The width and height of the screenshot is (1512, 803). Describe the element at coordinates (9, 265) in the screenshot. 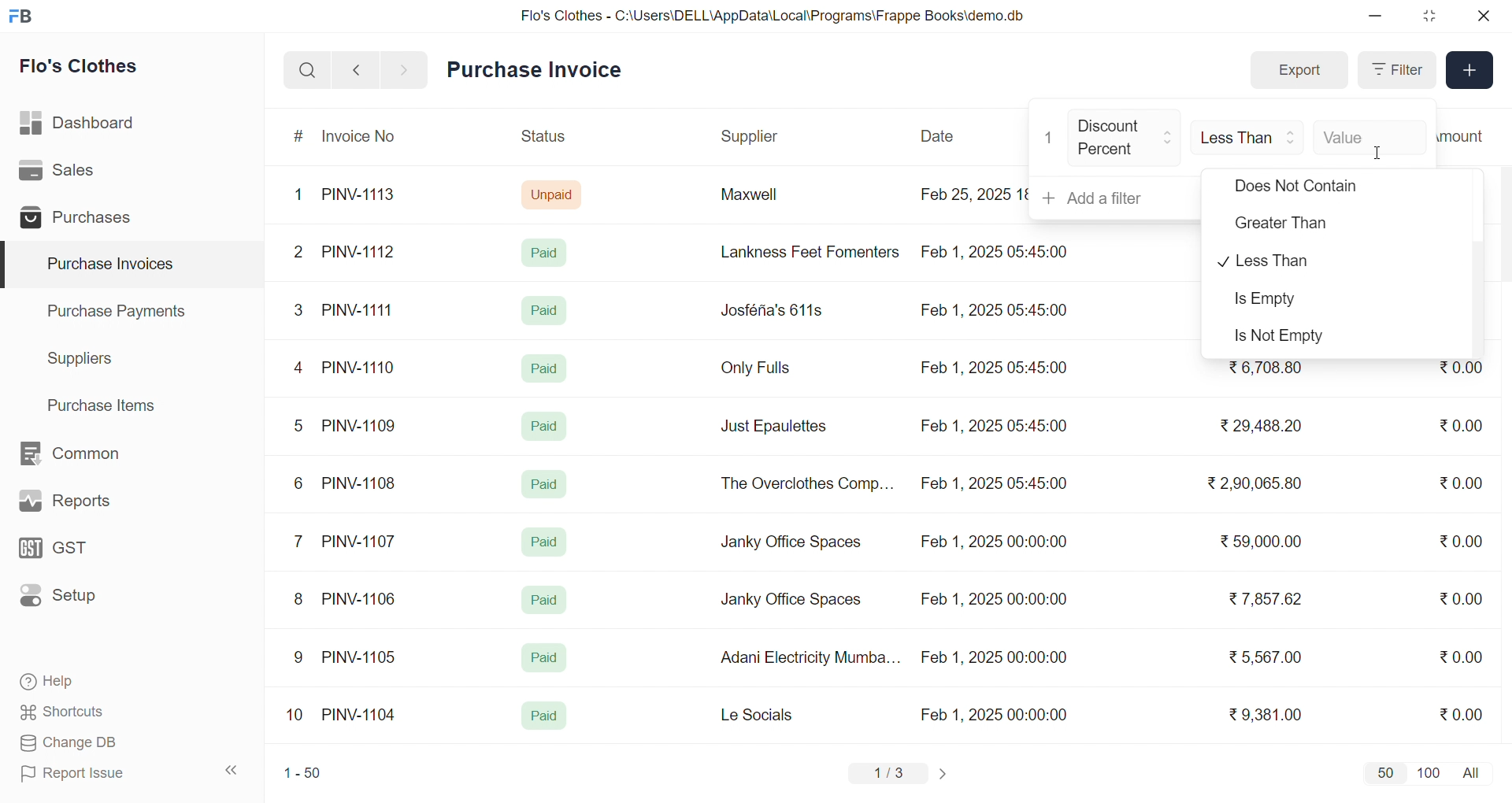

I see `selected` at that location.